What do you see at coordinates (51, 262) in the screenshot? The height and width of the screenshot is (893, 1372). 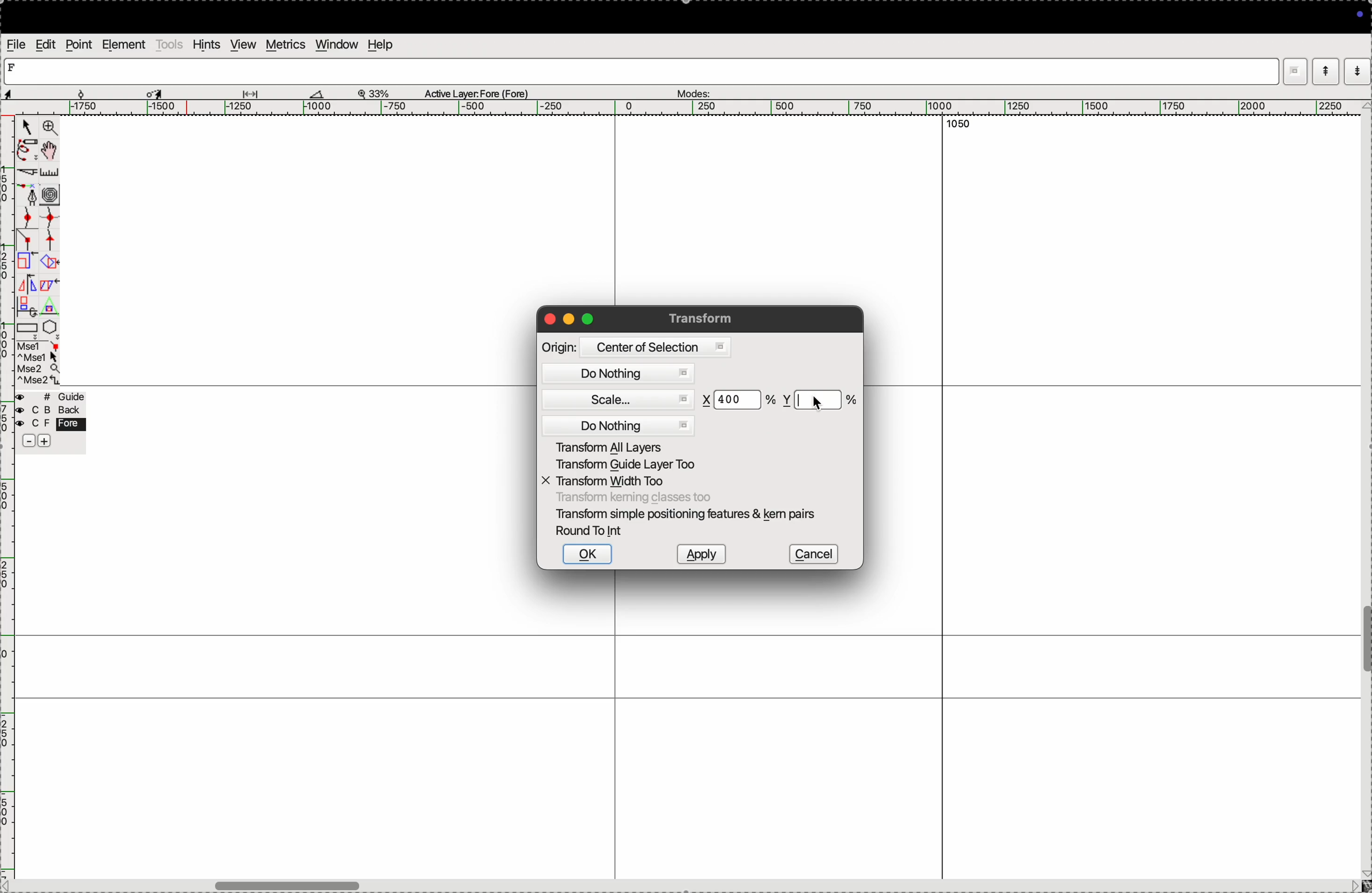 I see `overlap` at bounding box center [51, 262].